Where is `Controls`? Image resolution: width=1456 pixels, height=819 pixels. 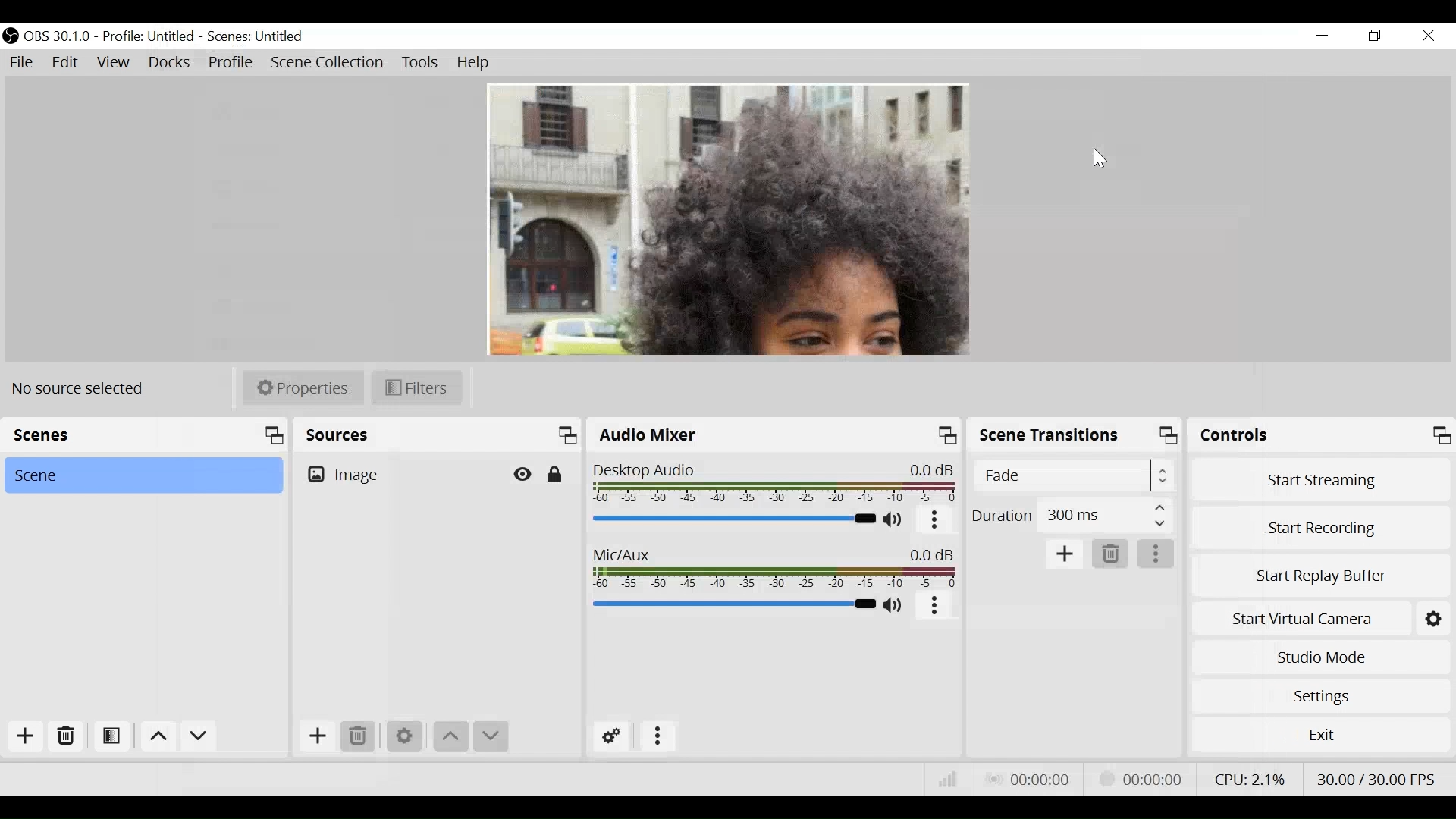 Controls is located at coordinates (1321, 435).